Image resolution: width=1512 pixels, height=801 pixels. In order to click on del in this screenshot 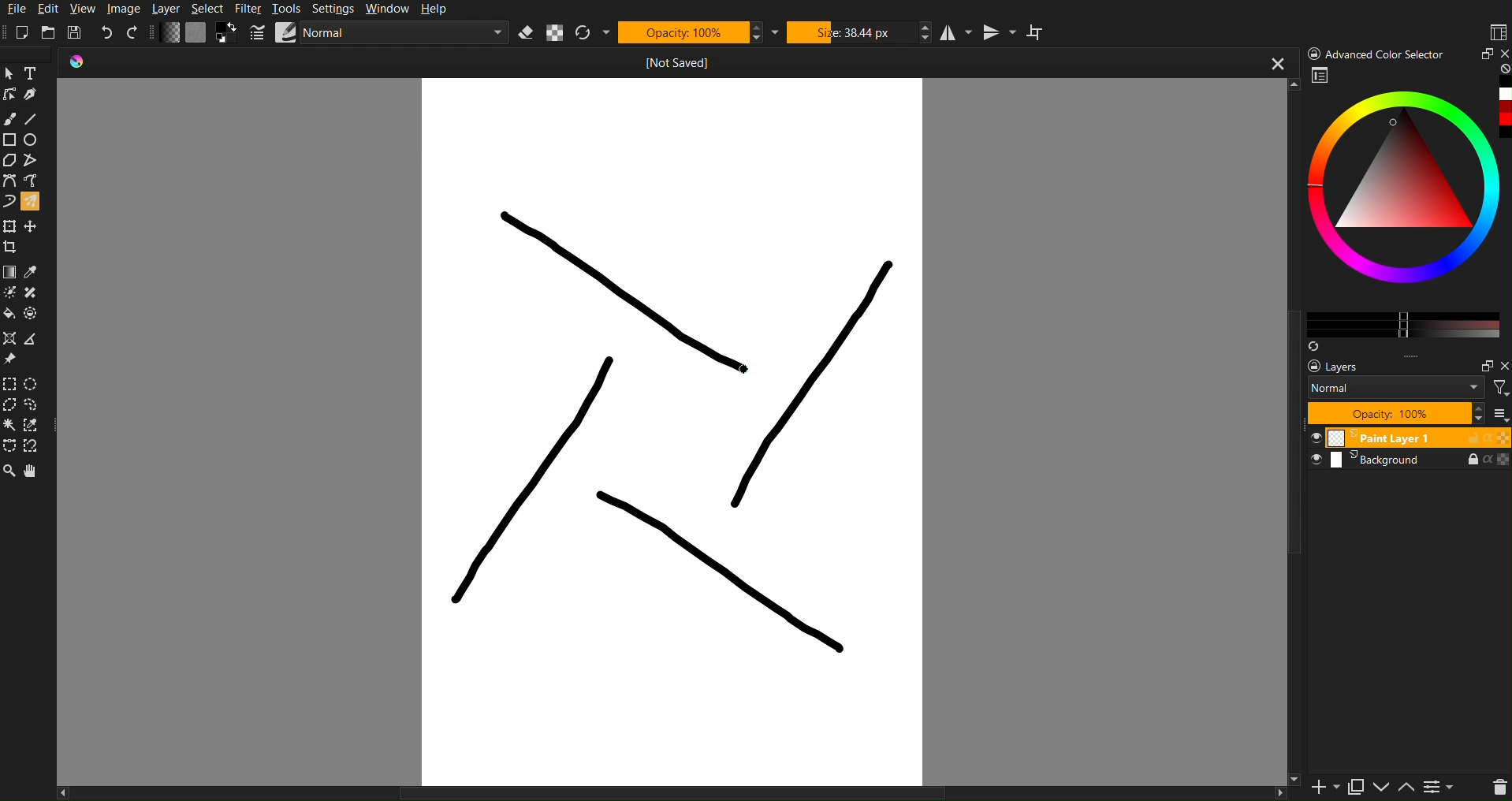, I will do `click(1493, 788)`.